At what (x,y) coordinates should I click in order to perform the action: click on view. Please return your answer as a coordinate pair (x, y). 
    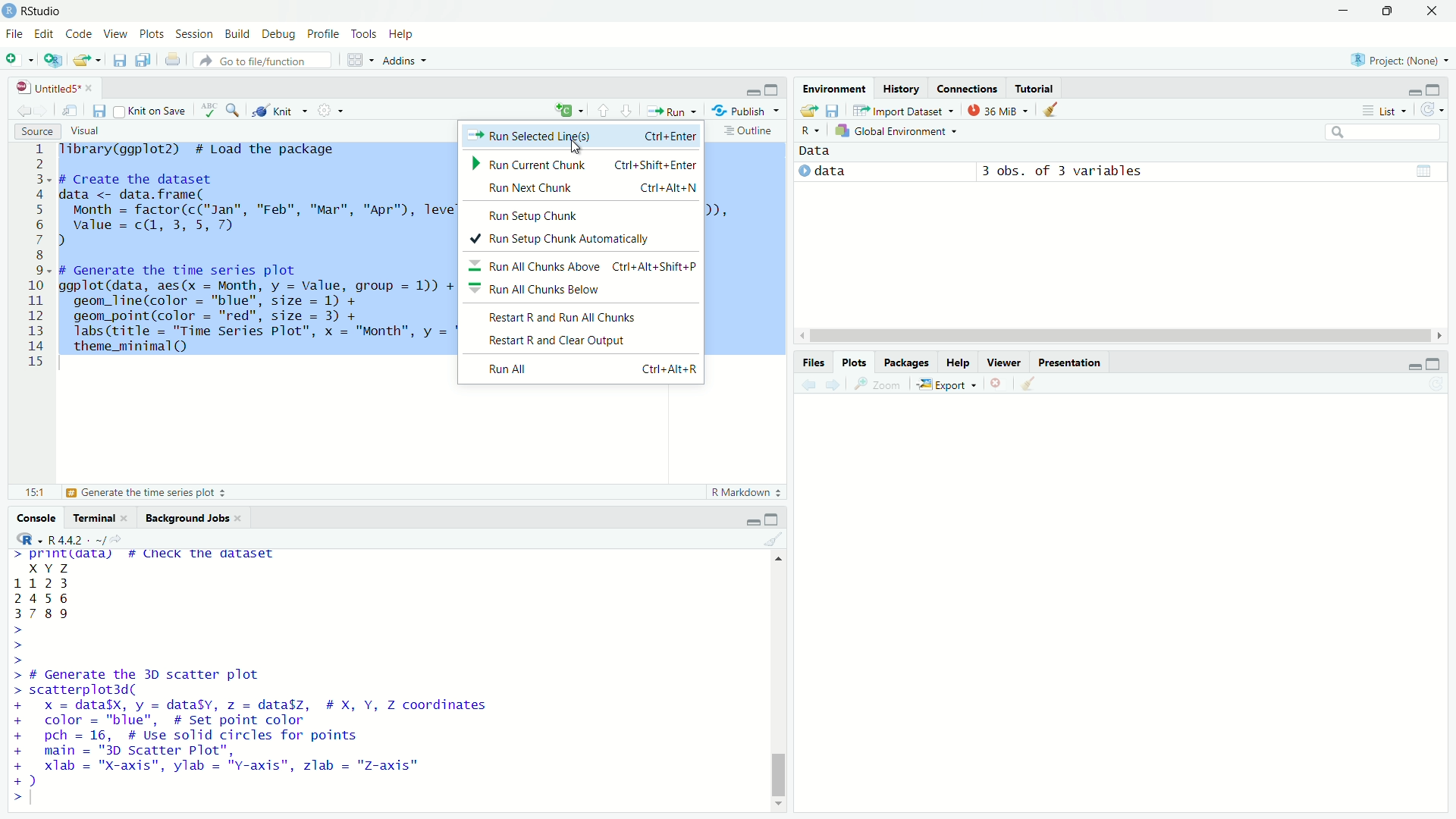
    Looking at the image, I should click on (115, 33).